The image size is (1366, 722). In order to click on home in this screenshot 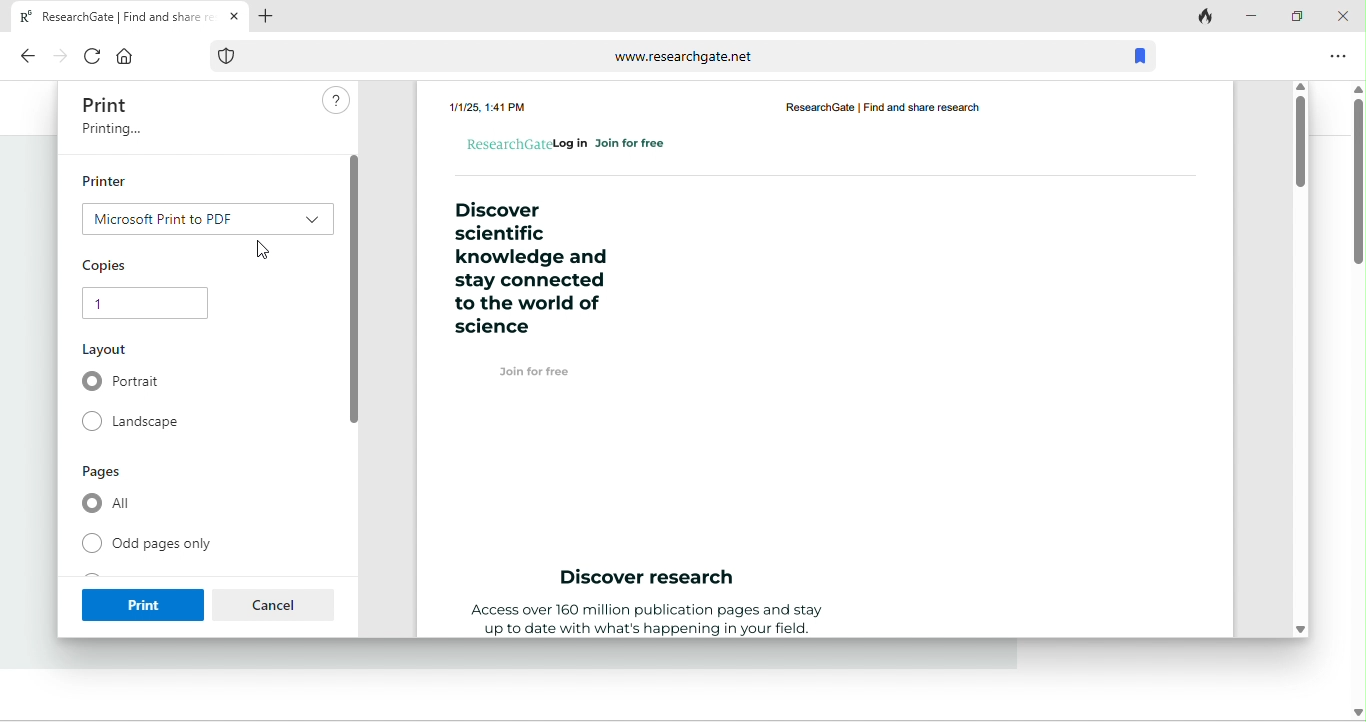, I will do `click(123, 57)`.